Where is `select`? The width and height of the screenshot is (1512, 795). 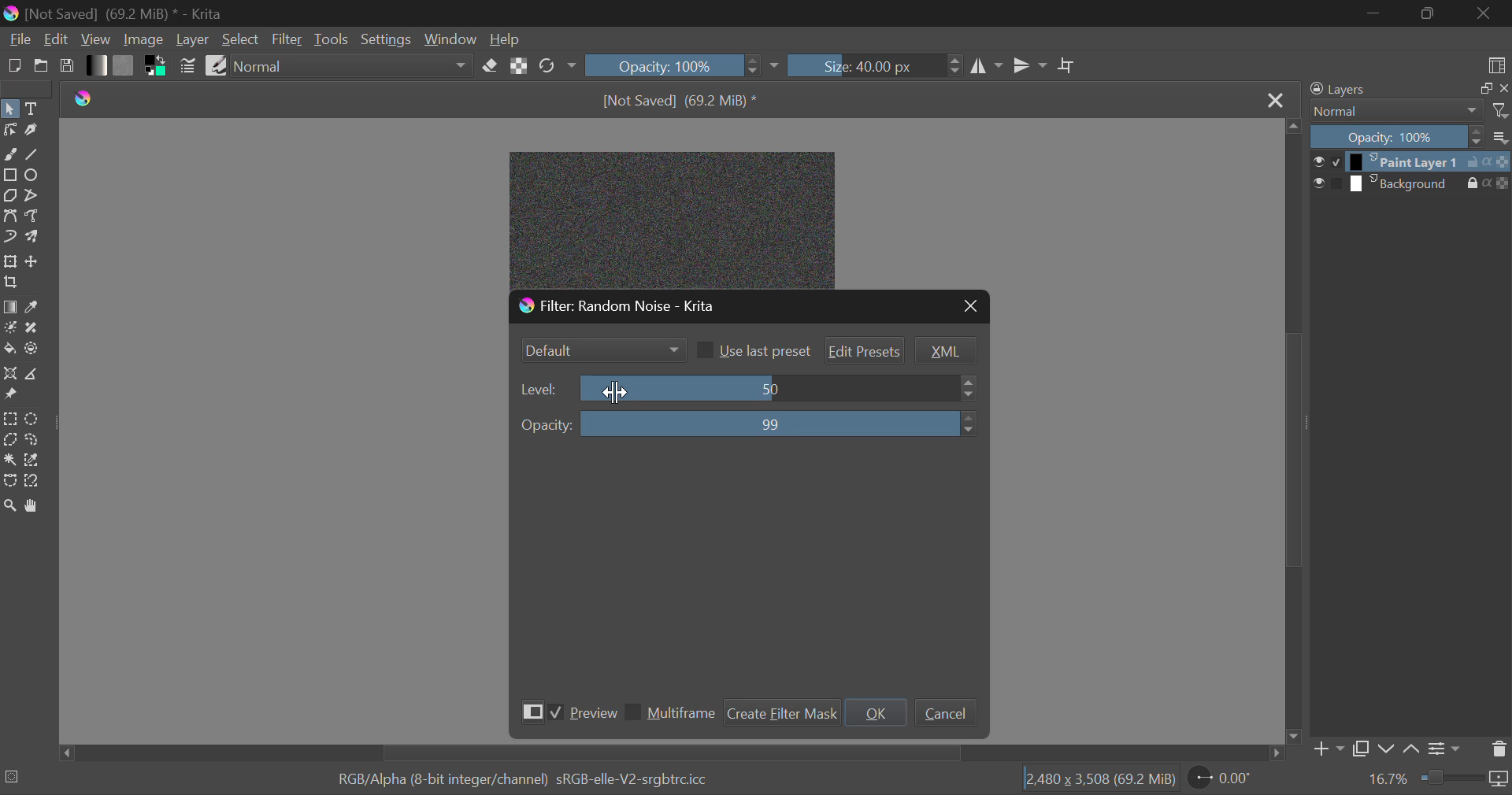 select is located at coordinates (1316, 160).